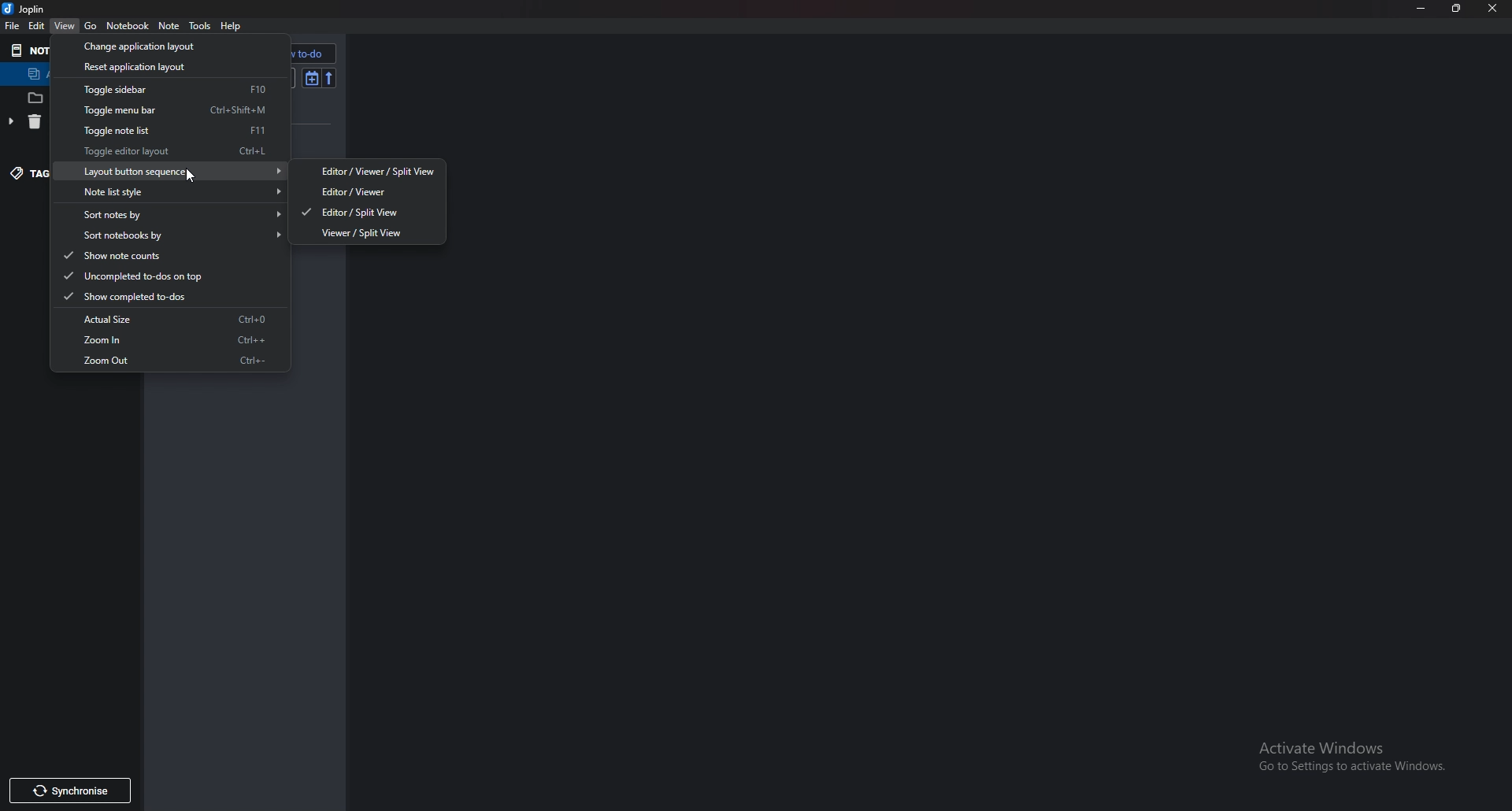  Describe the element at coordinates (172, 130) in the screenshot. I see `Toggle note list` at that location.